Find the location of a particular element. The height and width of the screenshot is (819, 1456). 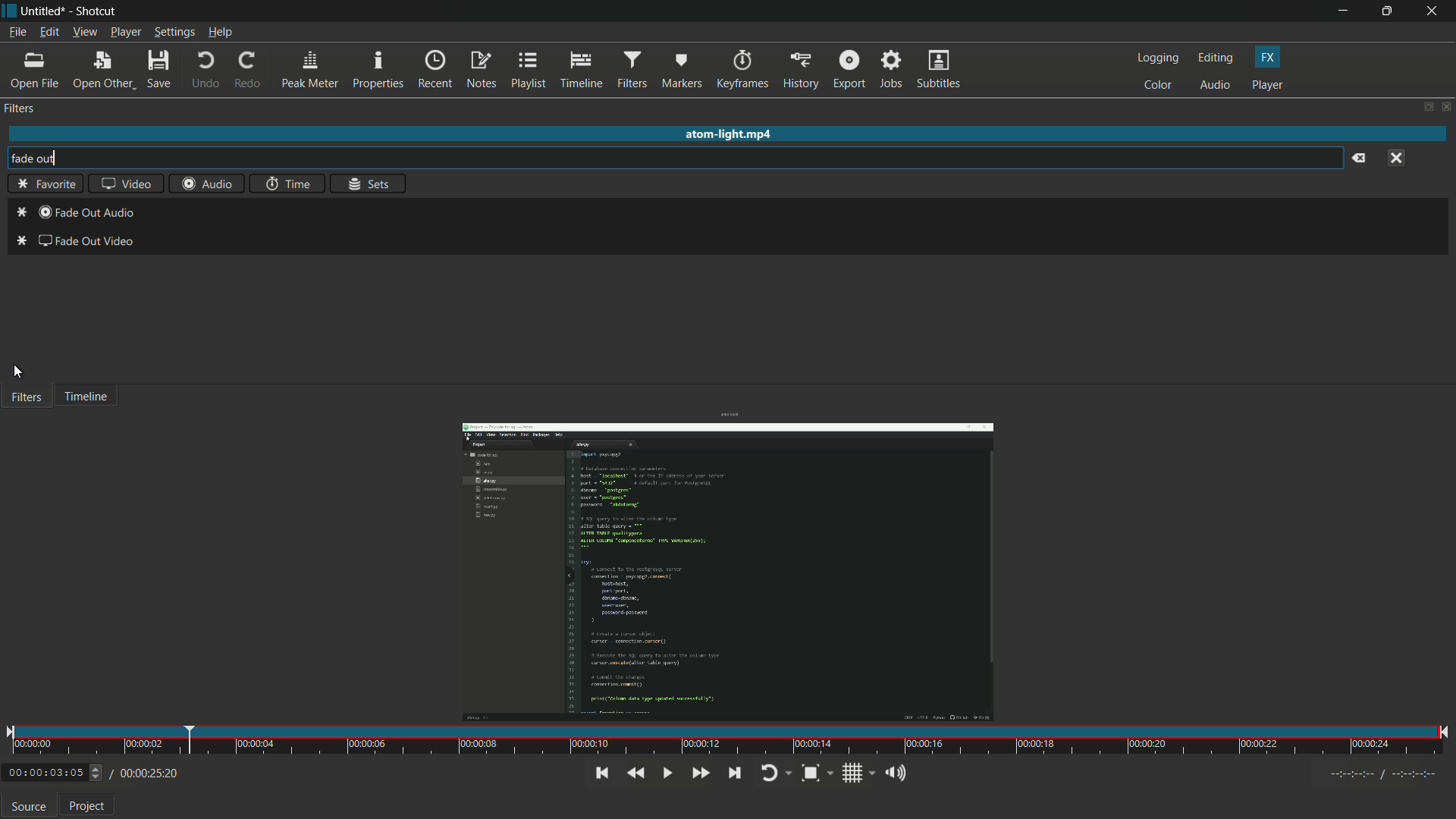

play quickly backward is located at coordinates (635, 773).